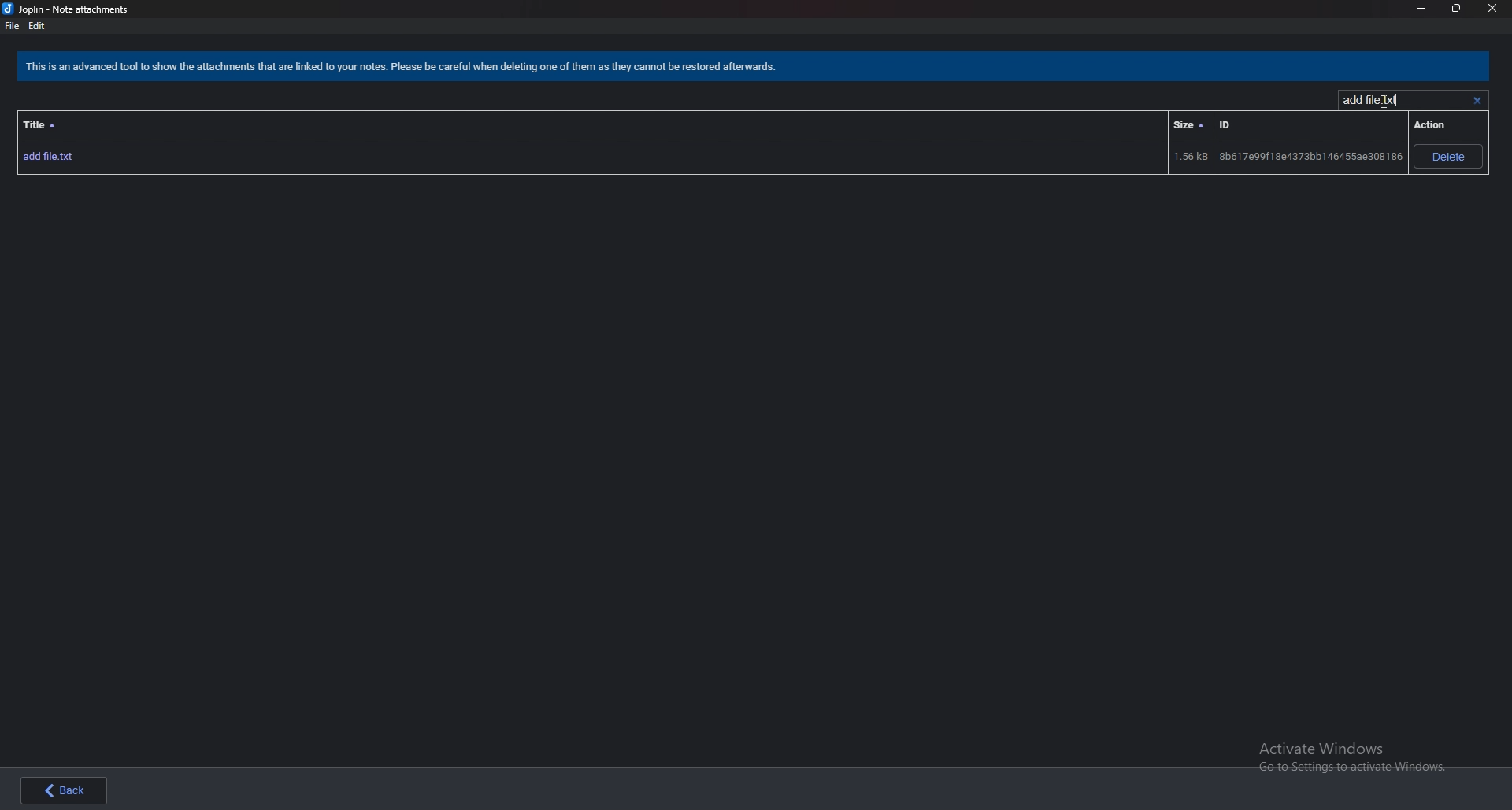 This screenshot has height=810, width=1512. I want to click on remove input, so click(1477, 100).